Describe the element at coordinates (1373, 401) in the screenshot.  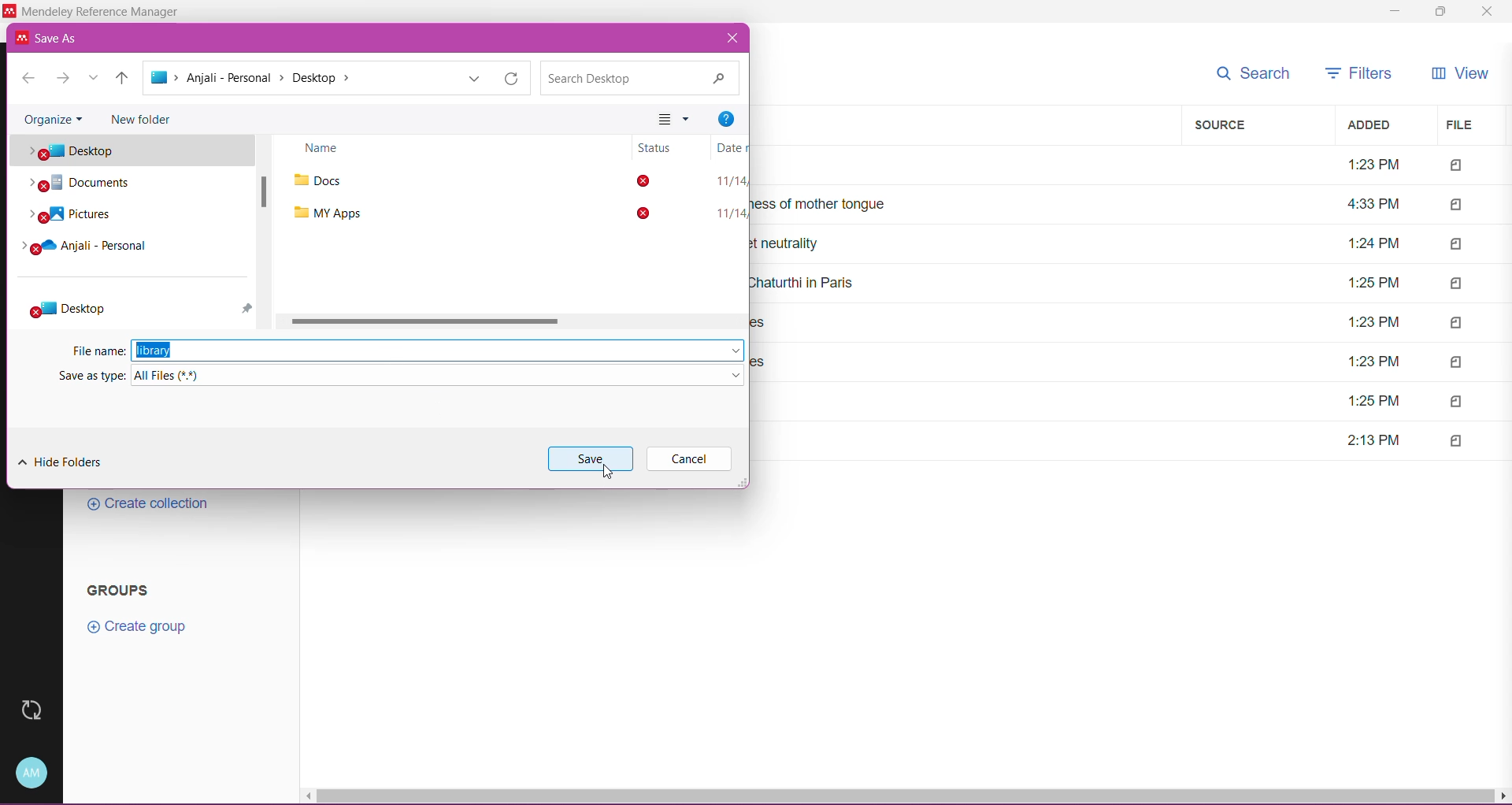
I see `1:25 PM` at that location.